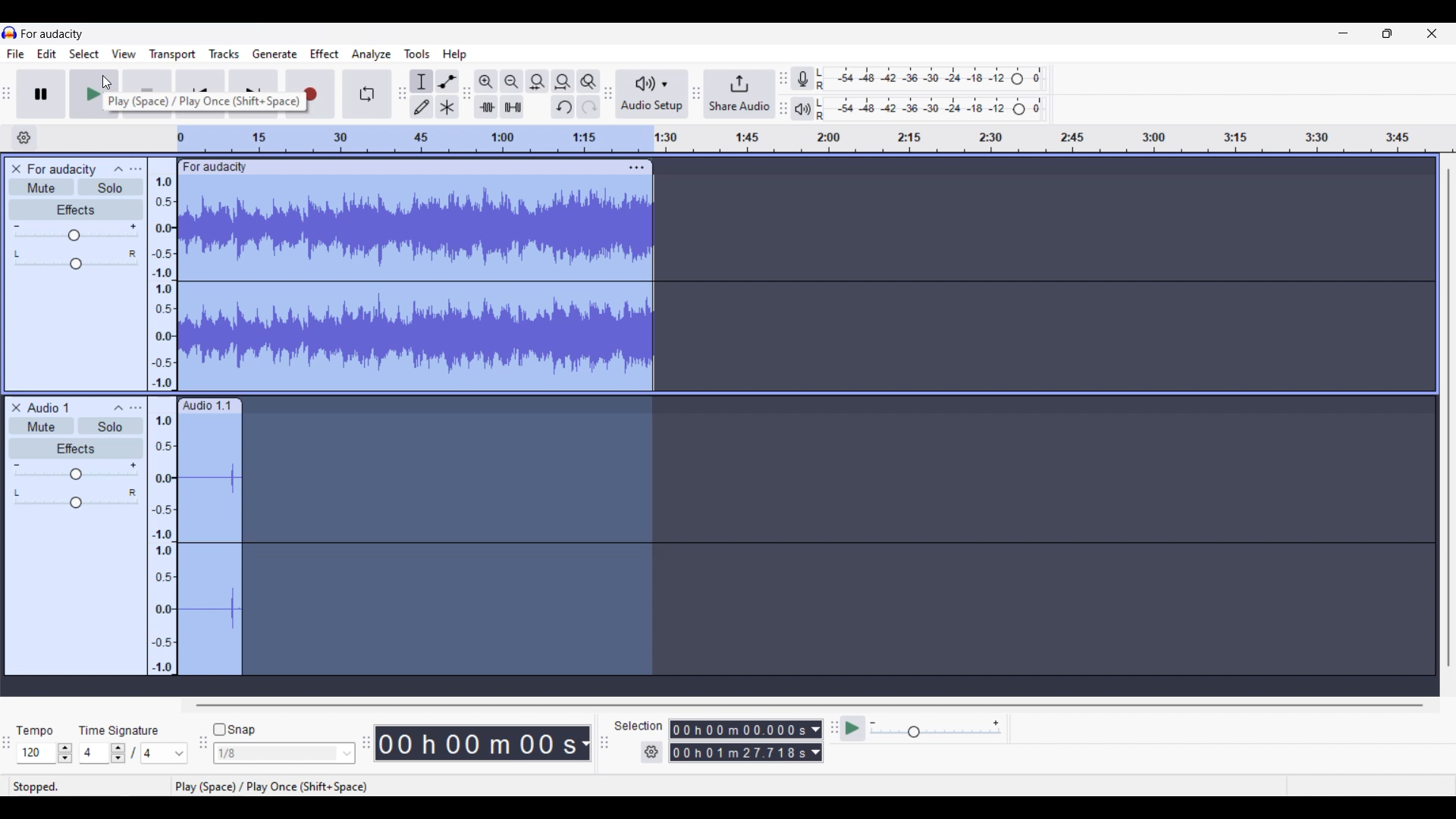 The image size is (1456, 819). Describe the element at coordinates (447, 107) in the screenshot. I see `Multi tool` at that location.